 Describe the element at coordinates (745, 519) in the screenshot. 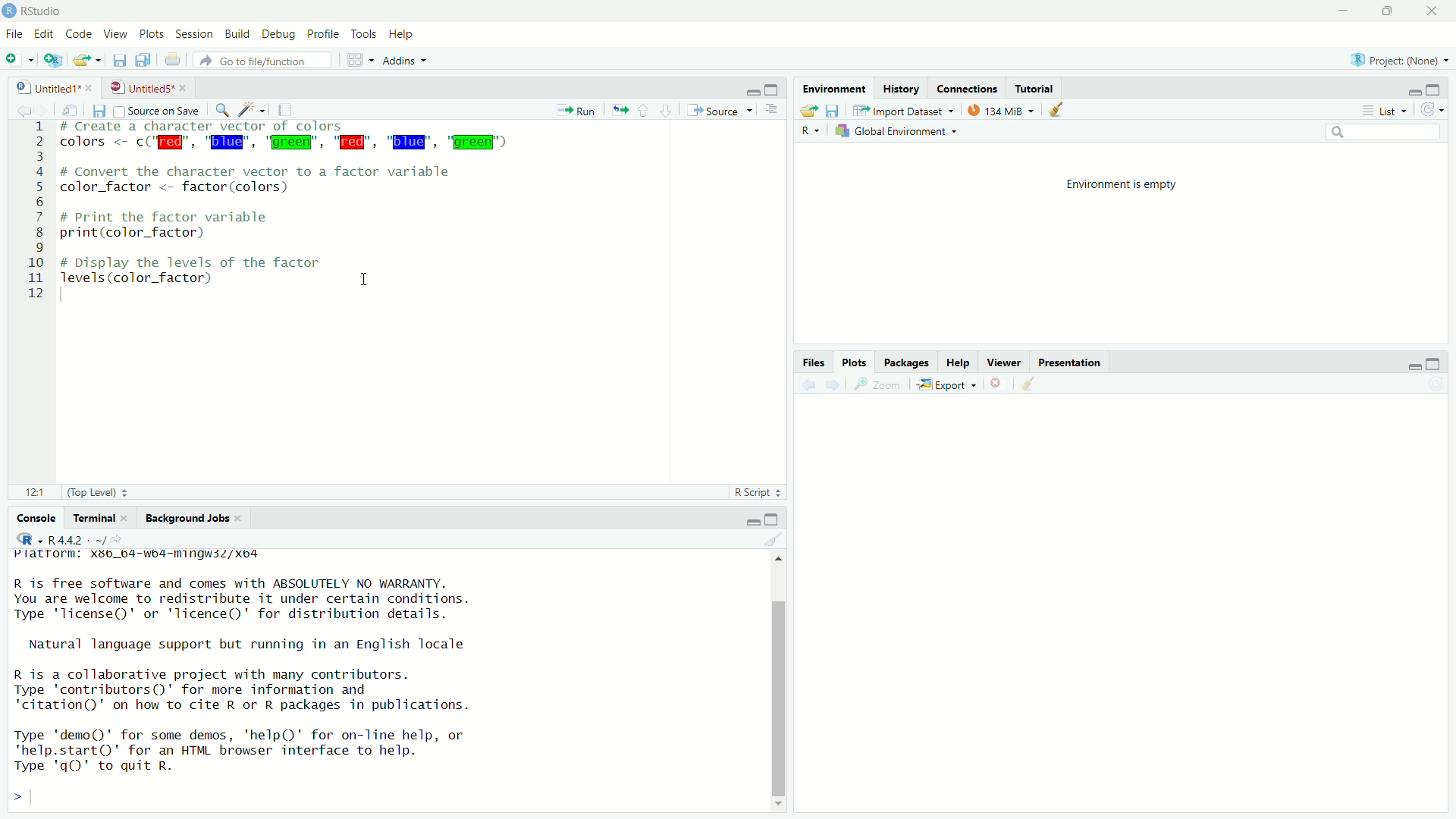

I see `minimize` at that location.